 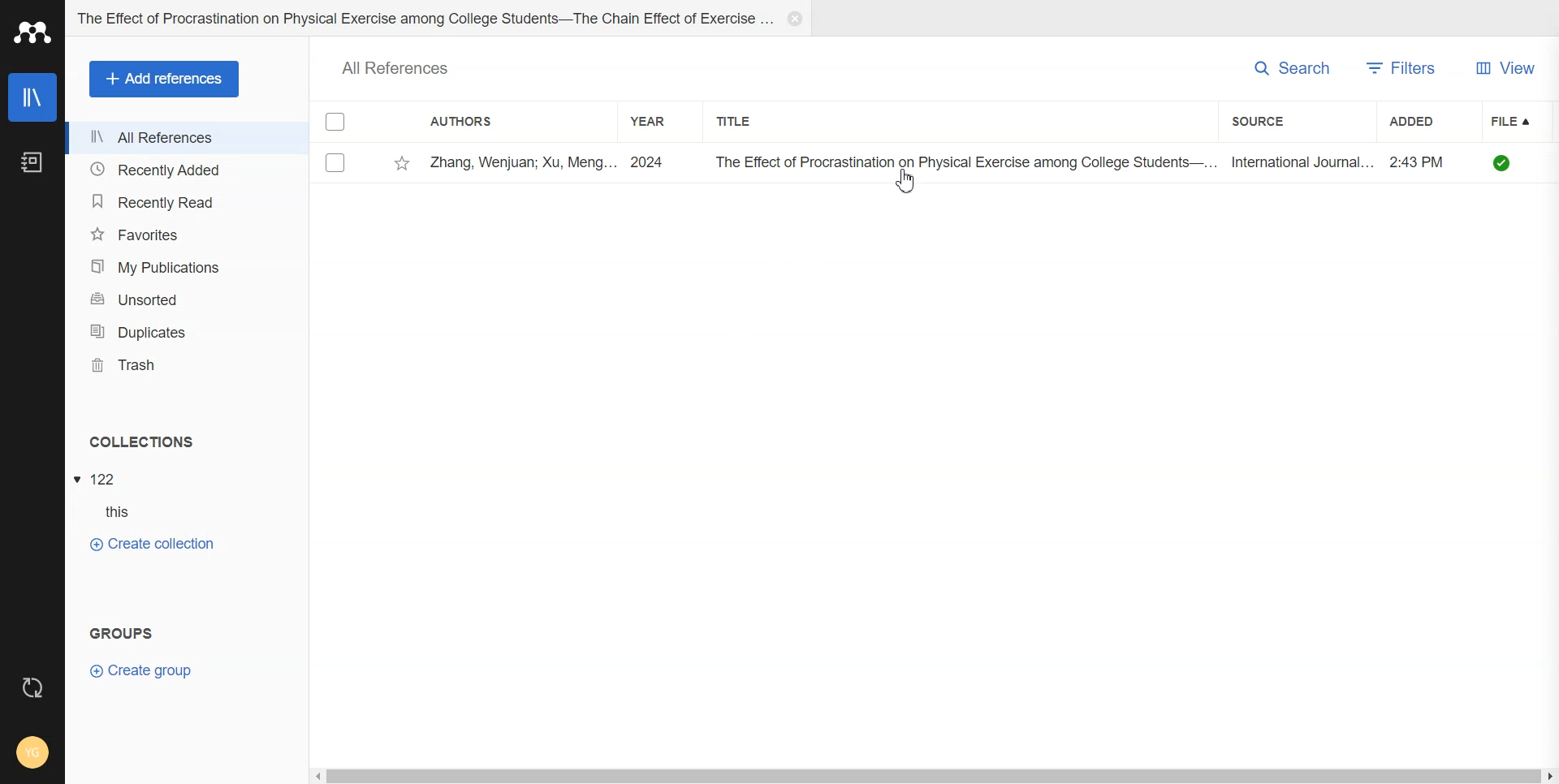 I want to click on Create Group, so click(x=153, y=670).